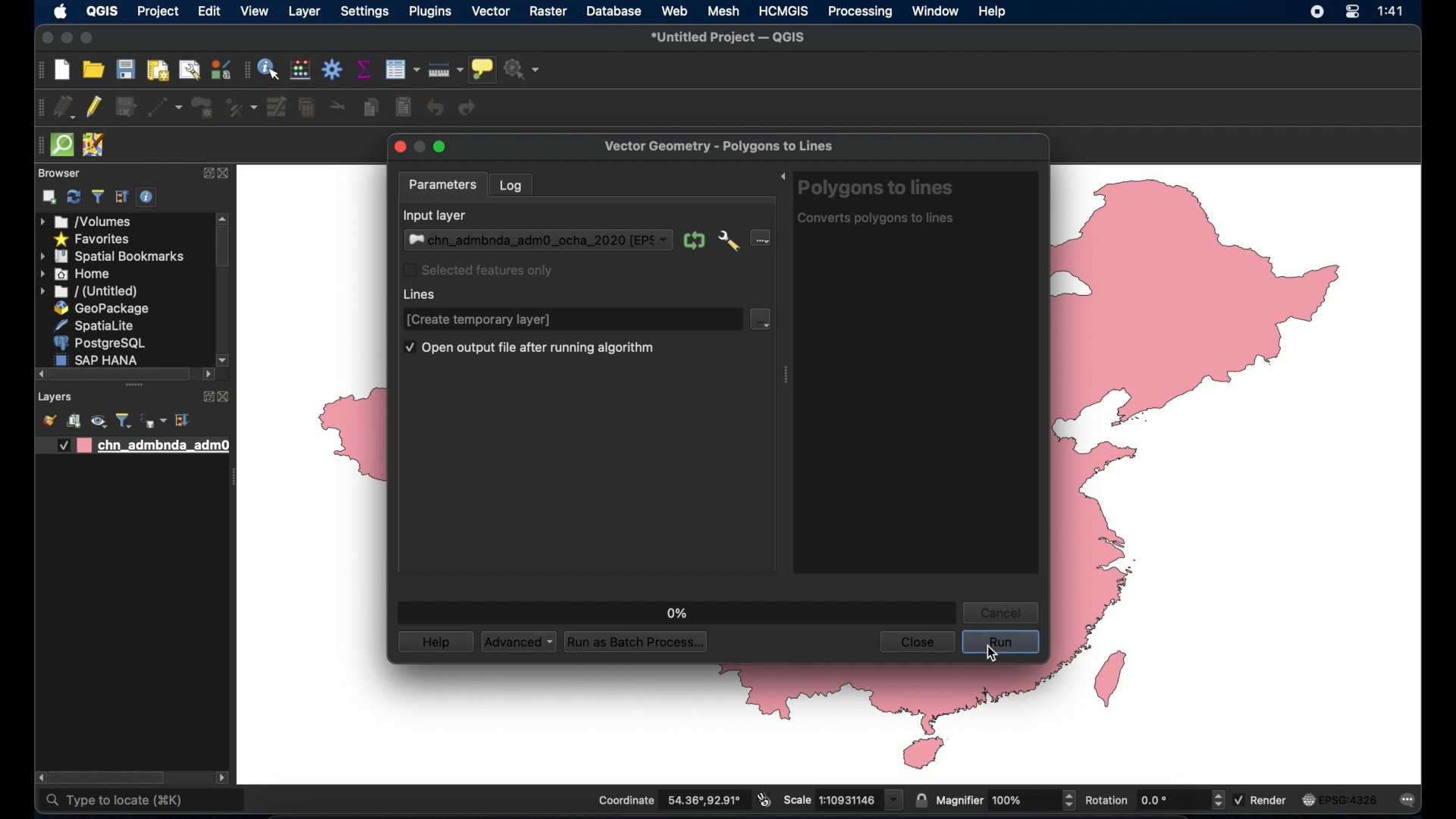 This screenshot has height=819, width=1456. What do you see at coordinates (225, 397) in the screenshot?
I see `close` at bounding box center [225, 397].